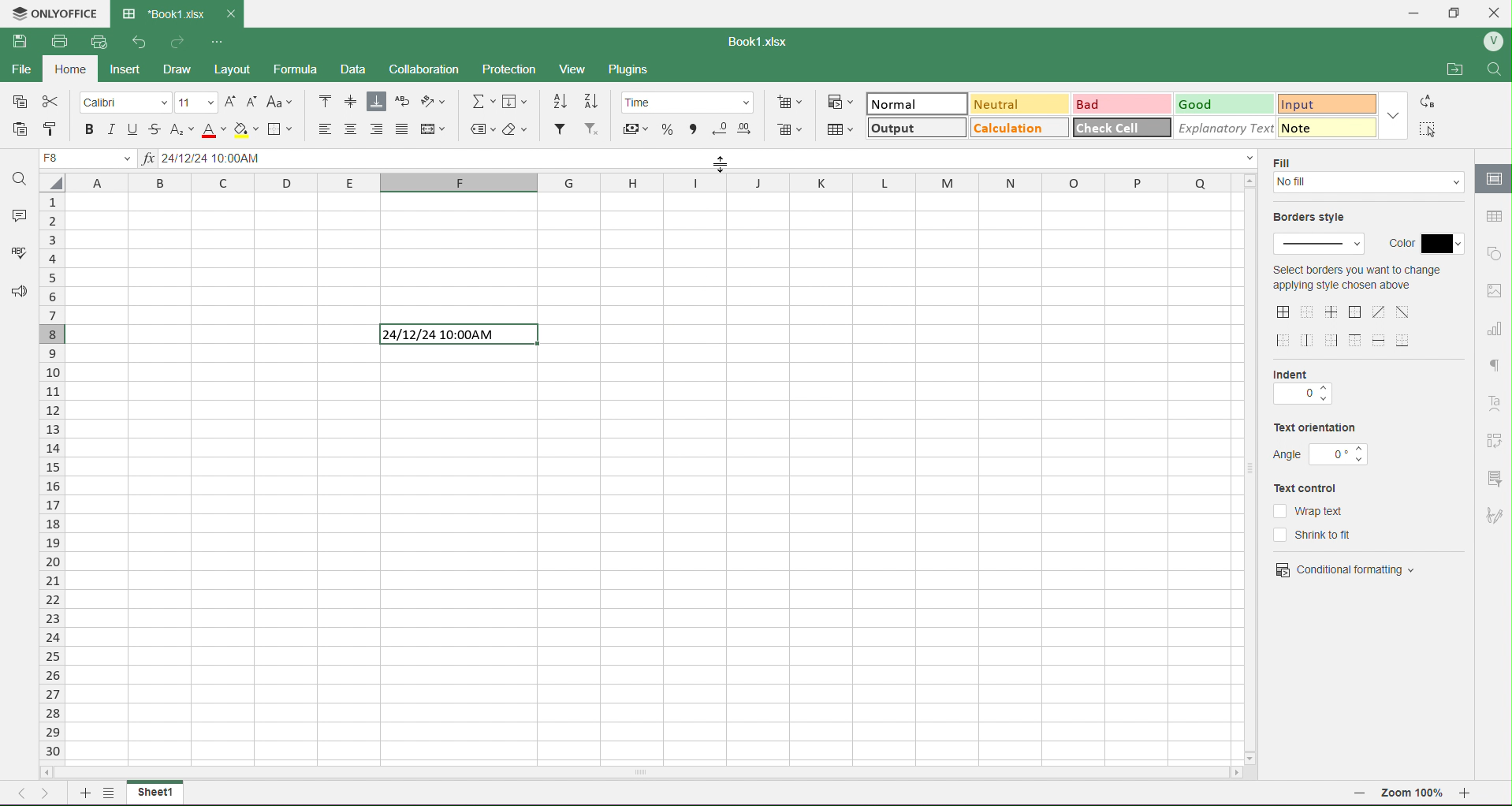  Describe the element at coordinates (1403, 311) in the screenshot. I see `center` at that location.